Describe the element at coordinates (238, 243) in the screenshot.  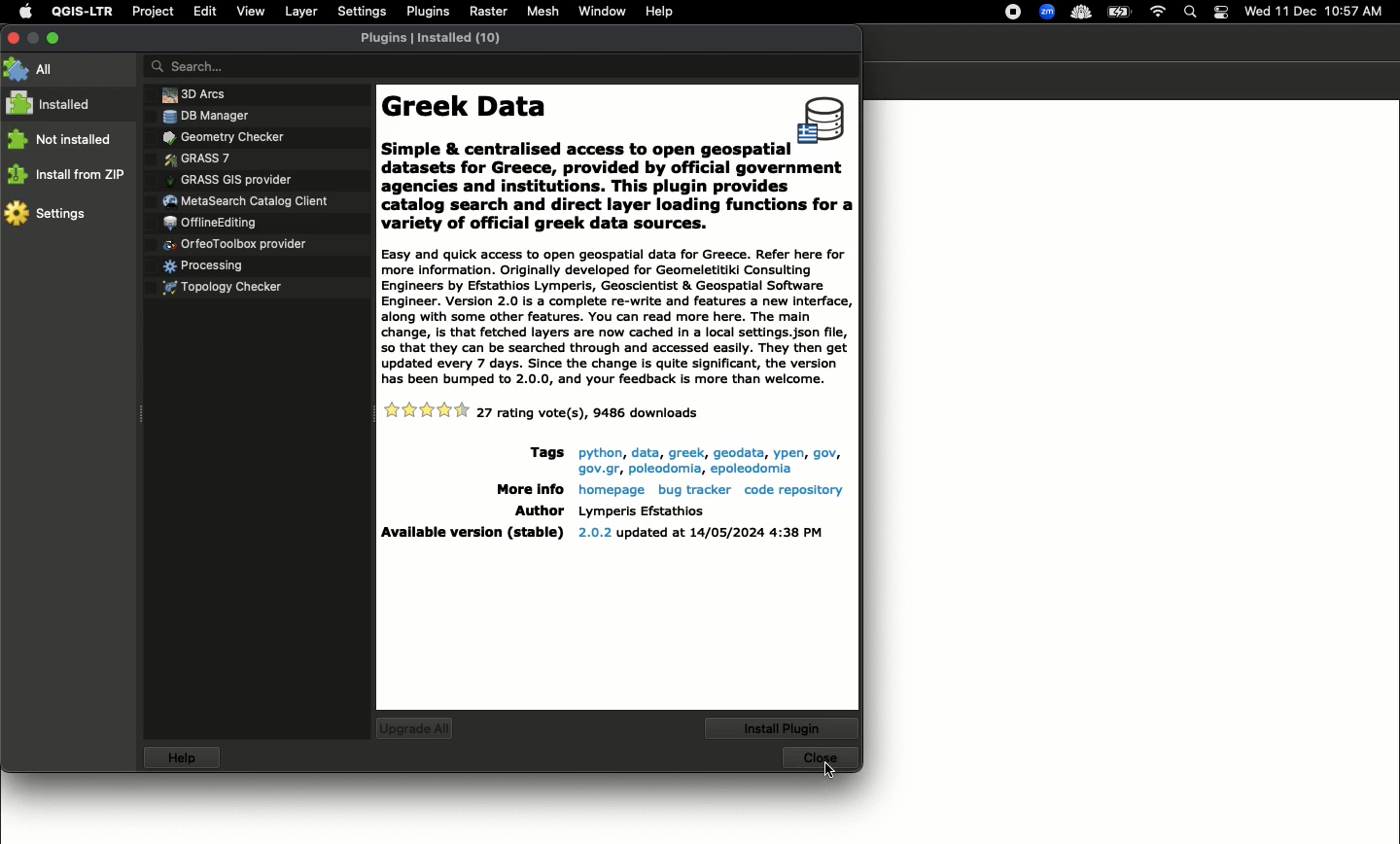
I see `Toolbar provider` at that location.